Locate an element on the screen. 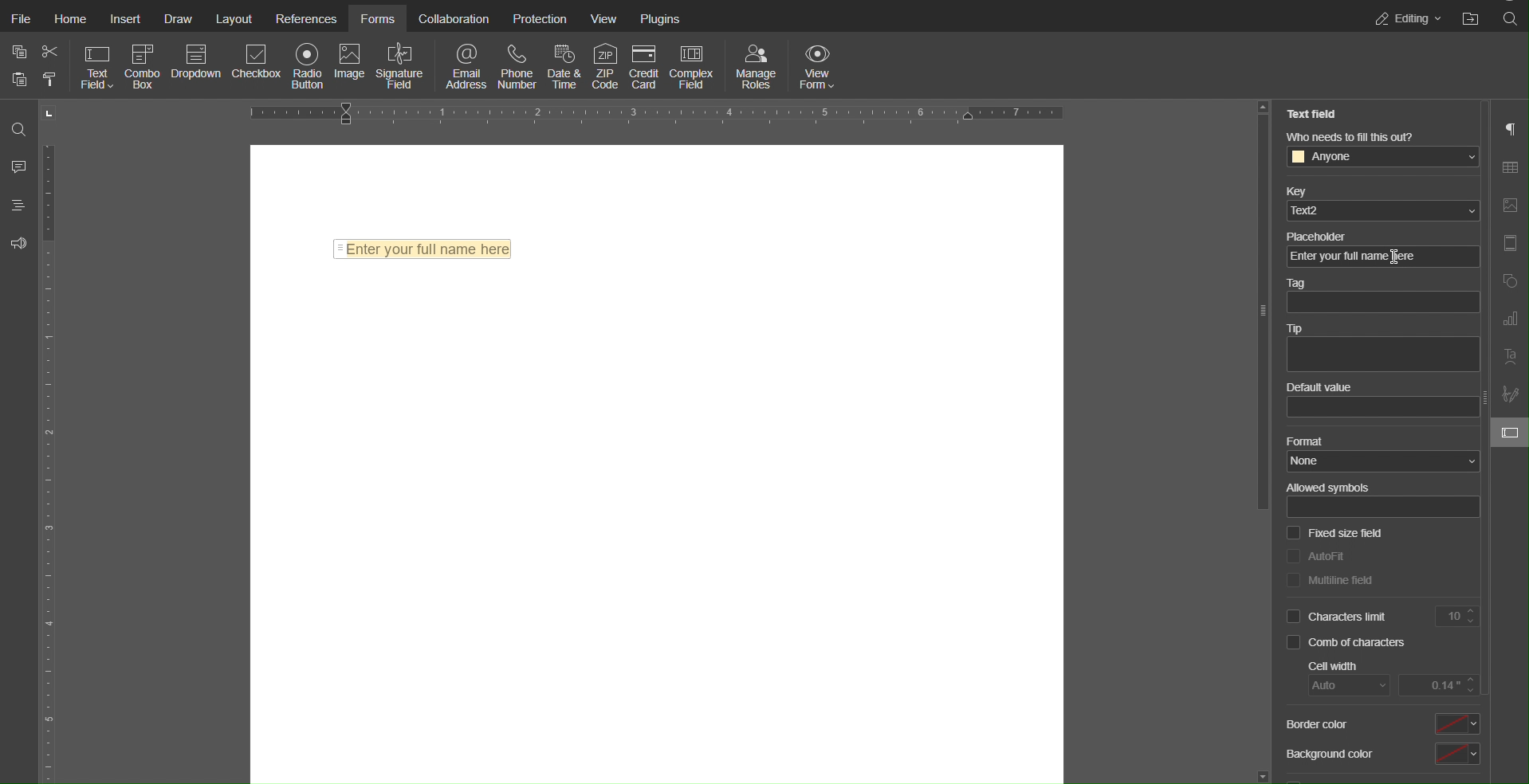 Image resolution: width=1529 pixels, height=784 pixels. Insert  is located at coordinates (125, 20).